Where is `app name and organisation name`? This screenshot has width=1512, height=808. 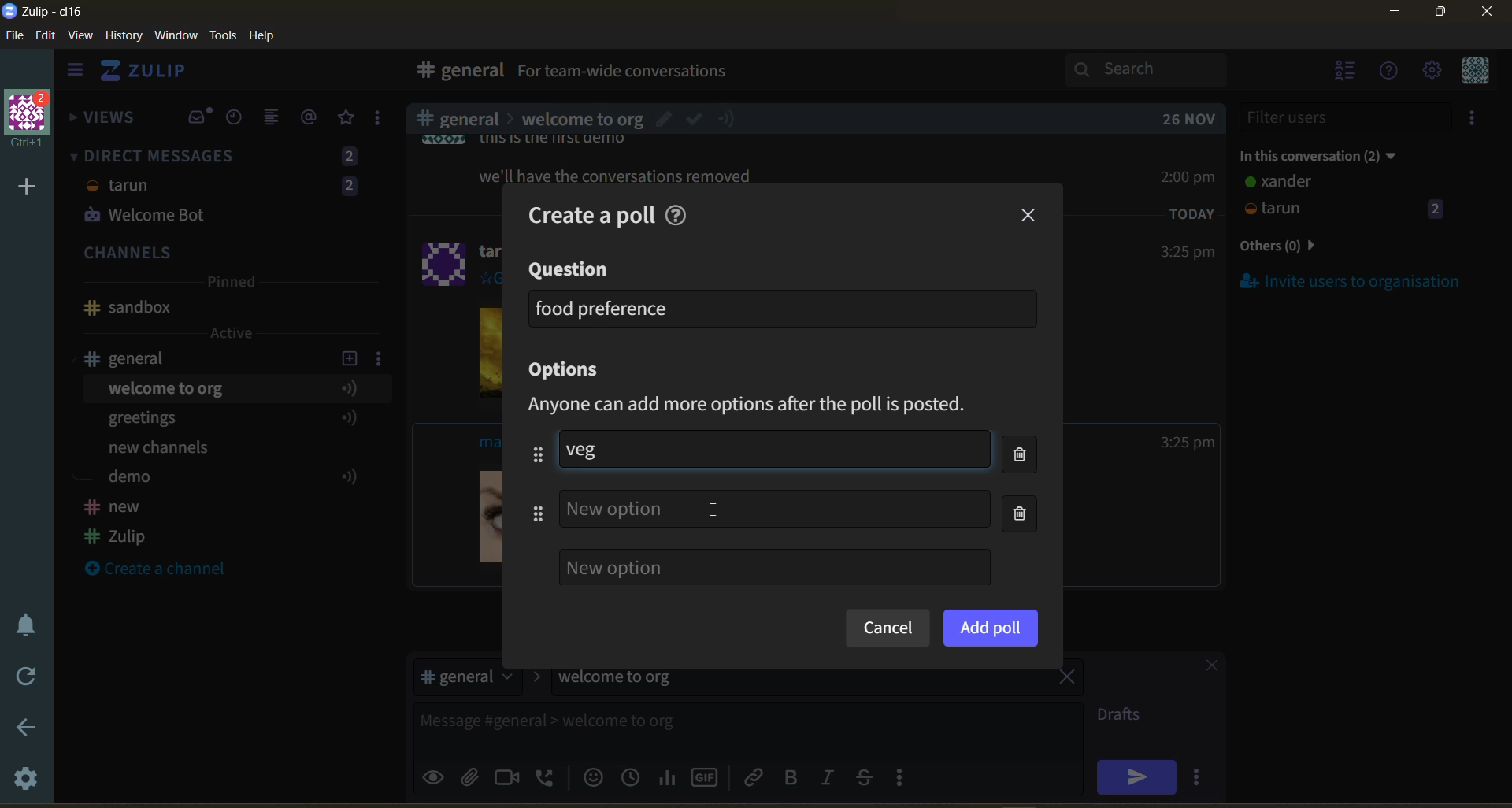
app name and organisation name is located at coordinates (43, 12).